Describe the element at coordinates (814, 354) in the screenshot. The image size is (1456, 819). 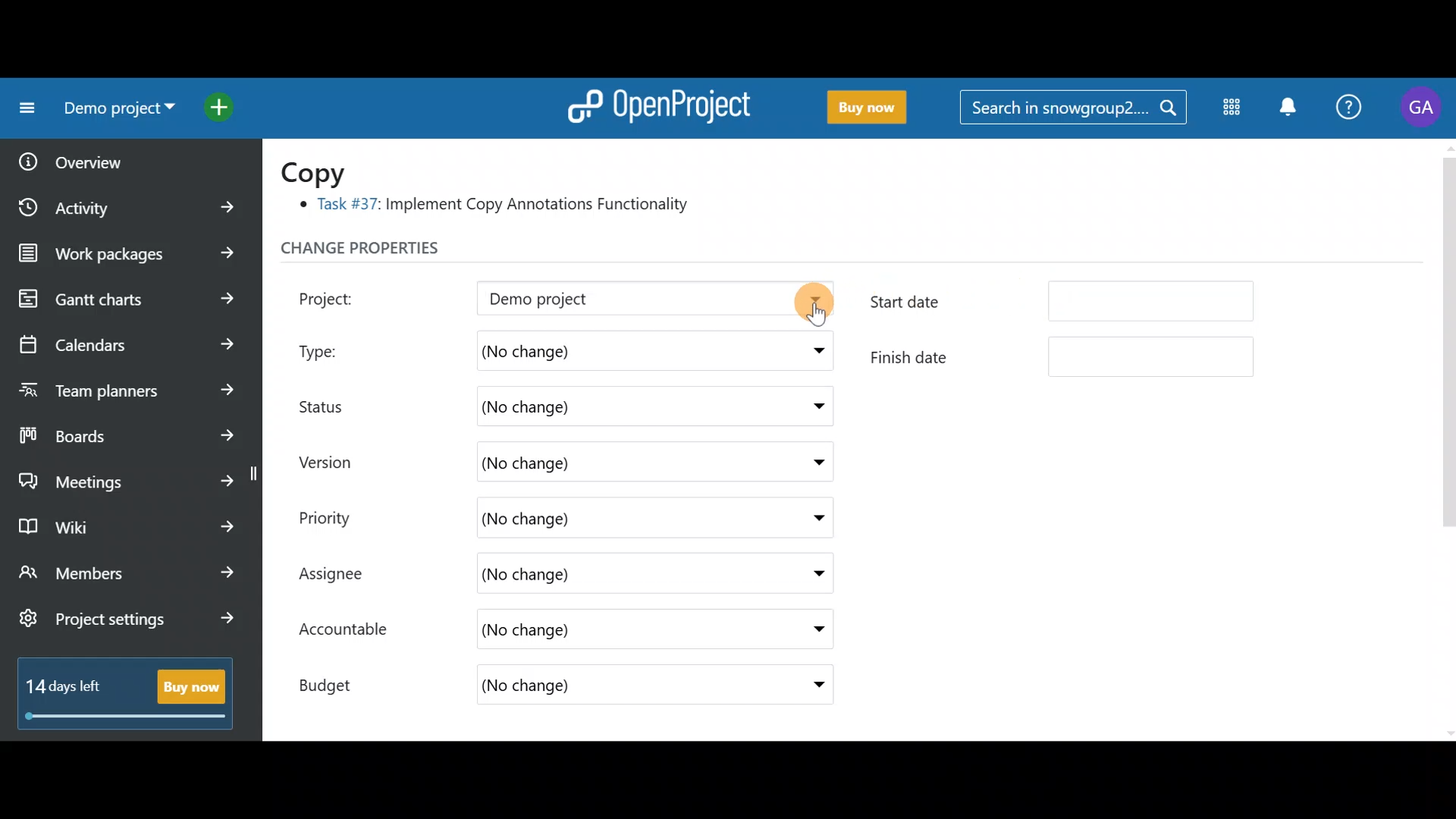
I see `Type drop down` at that location.